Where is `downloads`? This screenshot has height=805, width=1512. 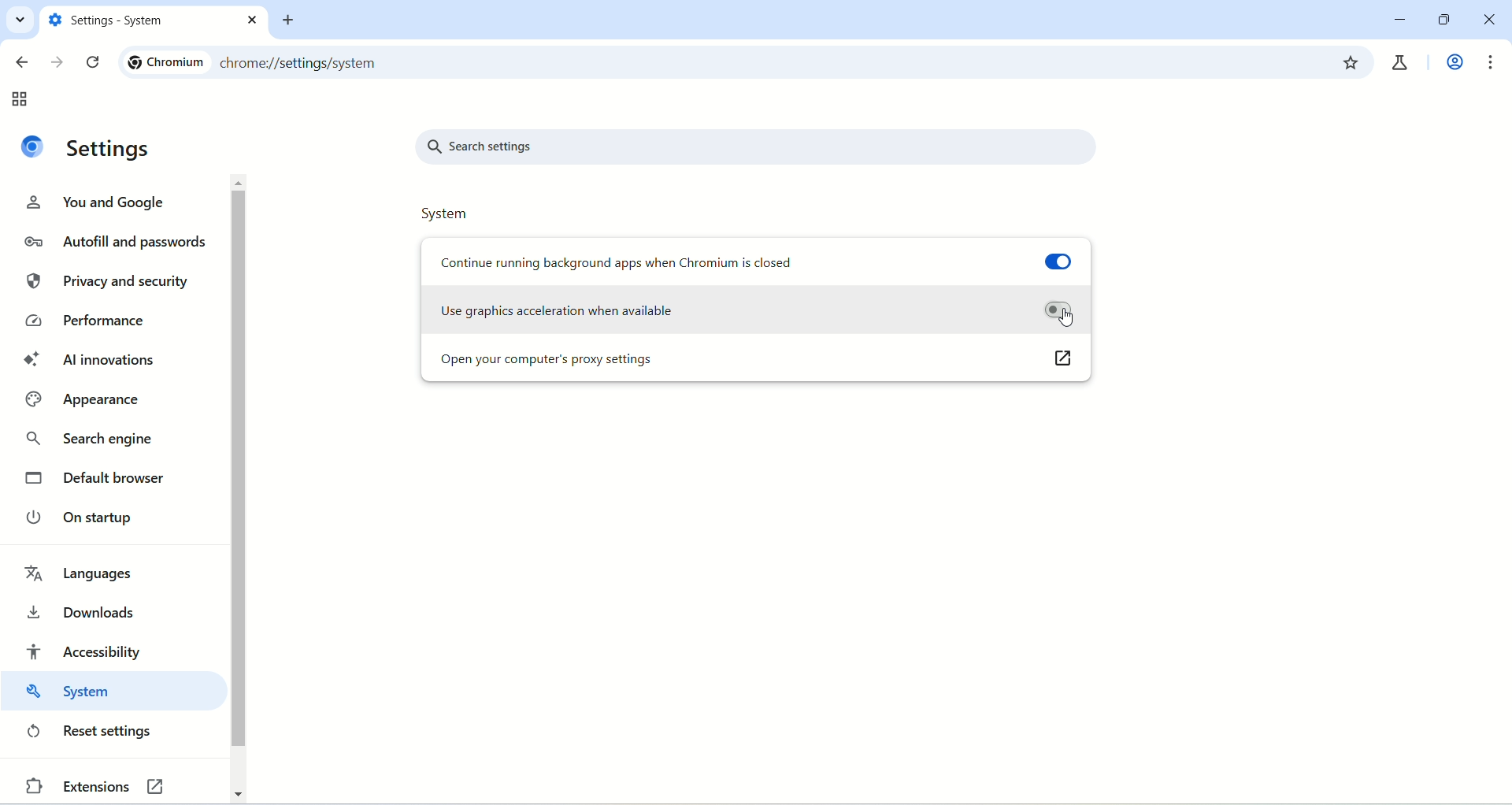
downloads is located at coordinates (87, 610).